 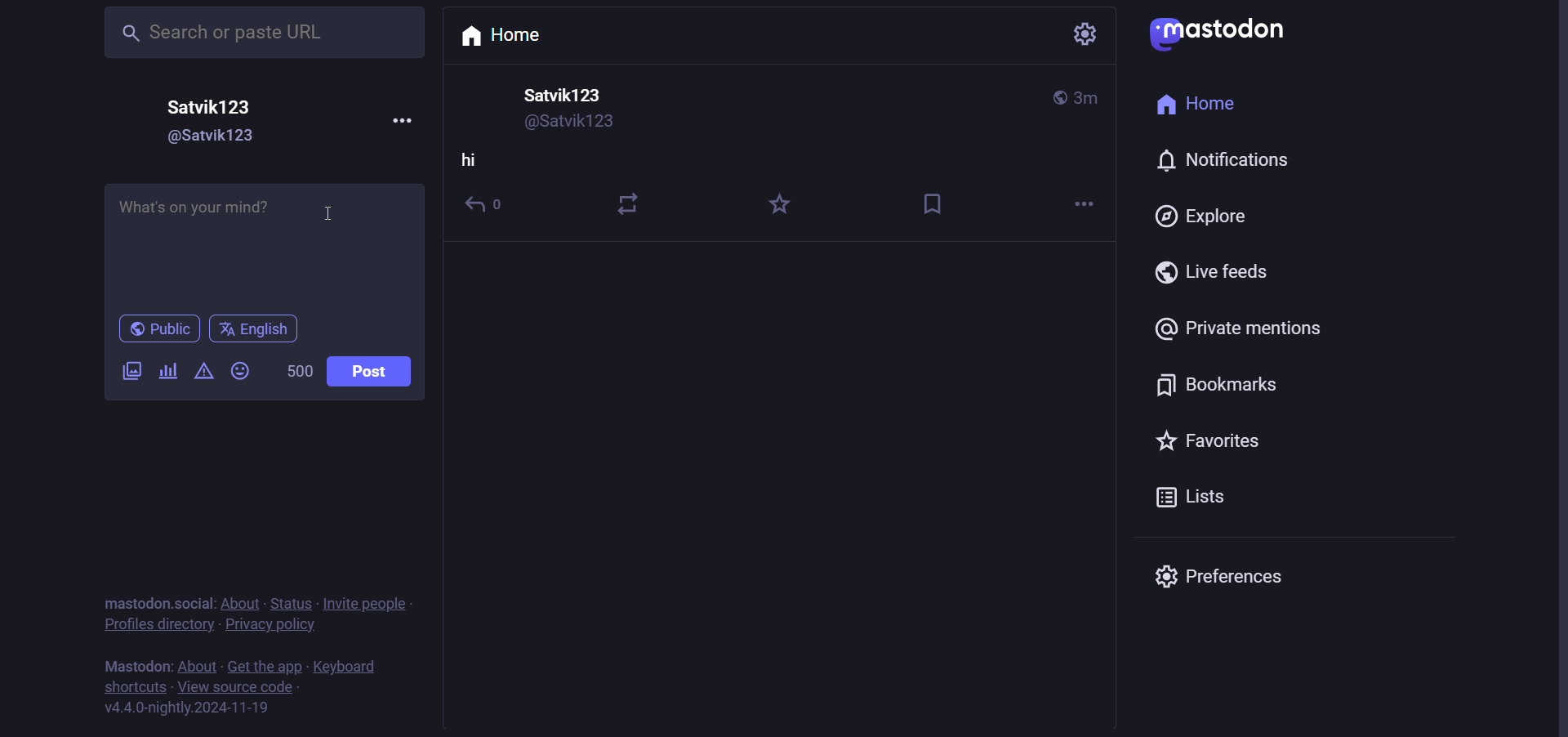 I want to click on public, so click(x=1058, y=97).